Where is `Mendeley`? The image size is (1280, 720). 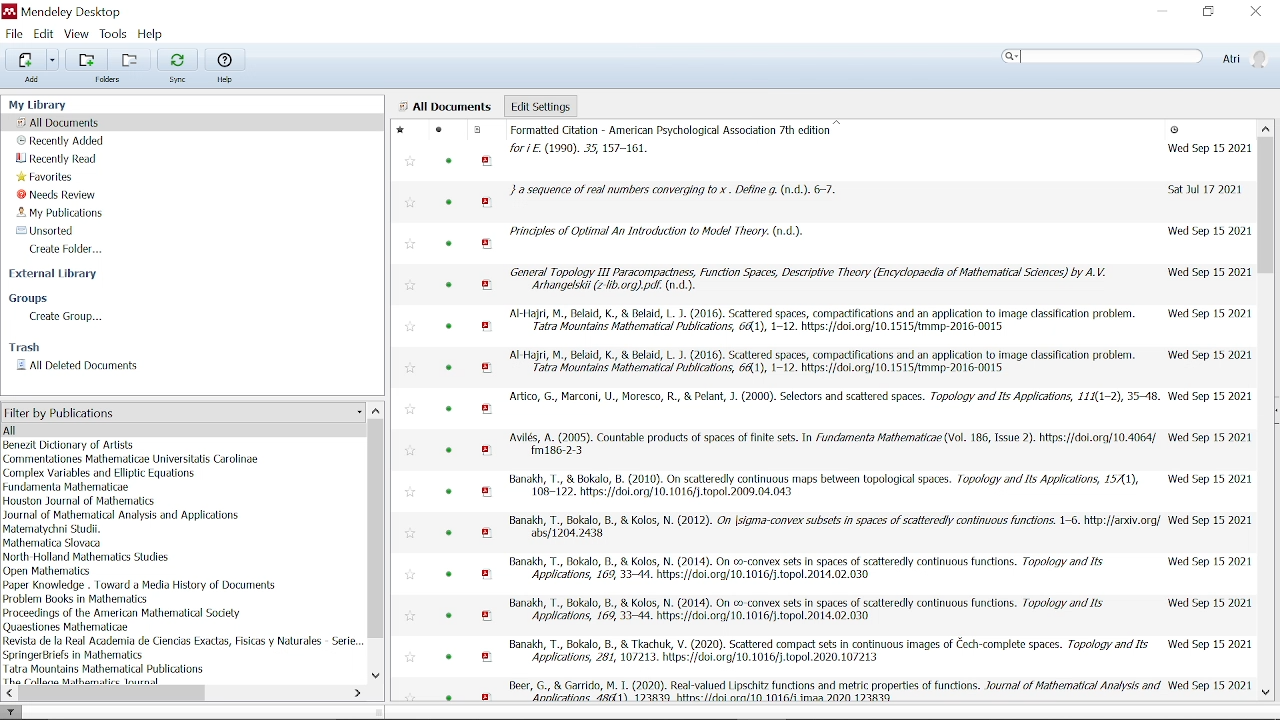 Mendeley is located at coordinates (85, 11).